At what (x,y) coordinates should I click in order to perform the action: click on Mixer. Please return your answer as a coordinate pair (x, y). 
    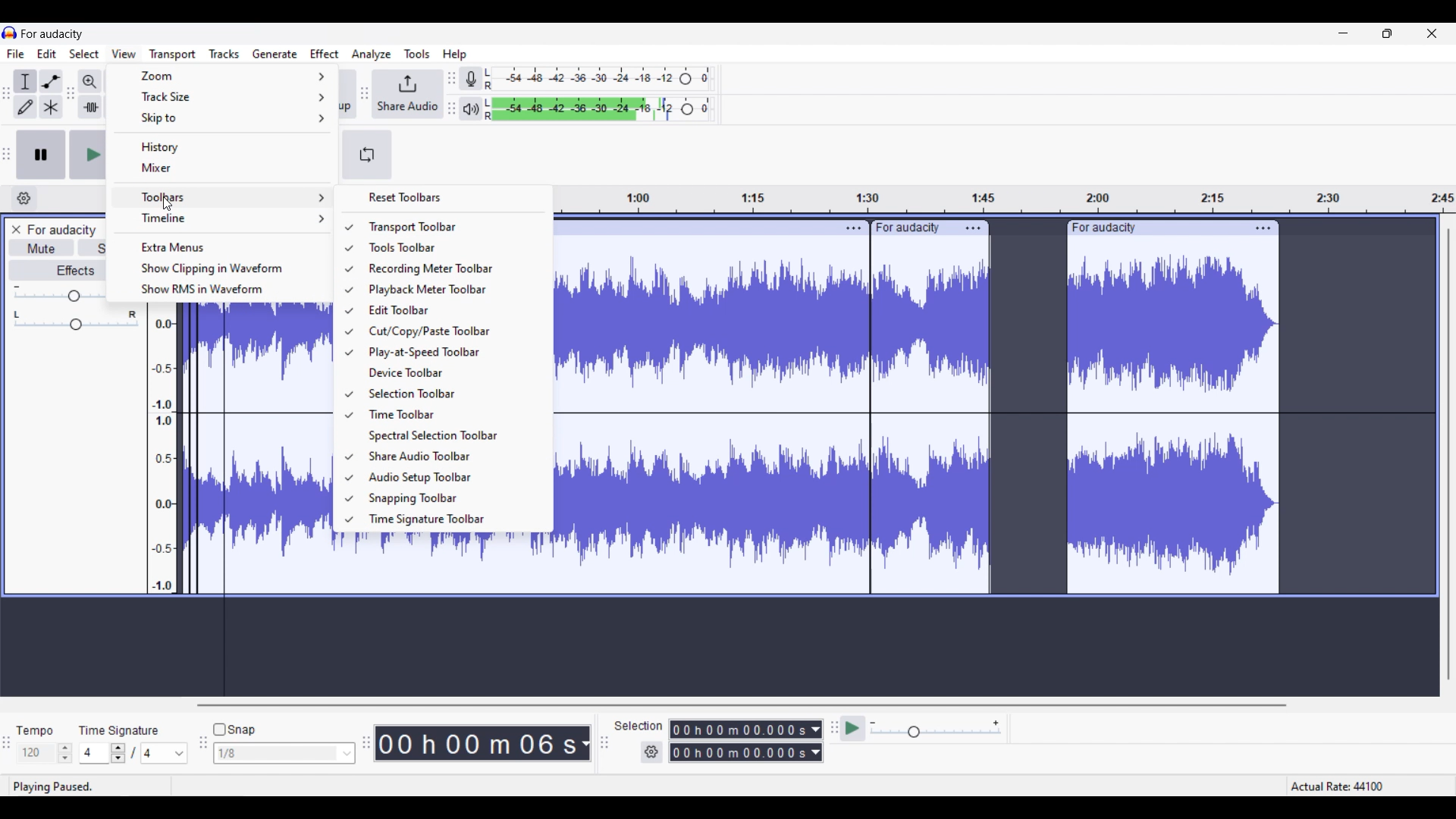
    Looking at the image, I should click on (224, 168).